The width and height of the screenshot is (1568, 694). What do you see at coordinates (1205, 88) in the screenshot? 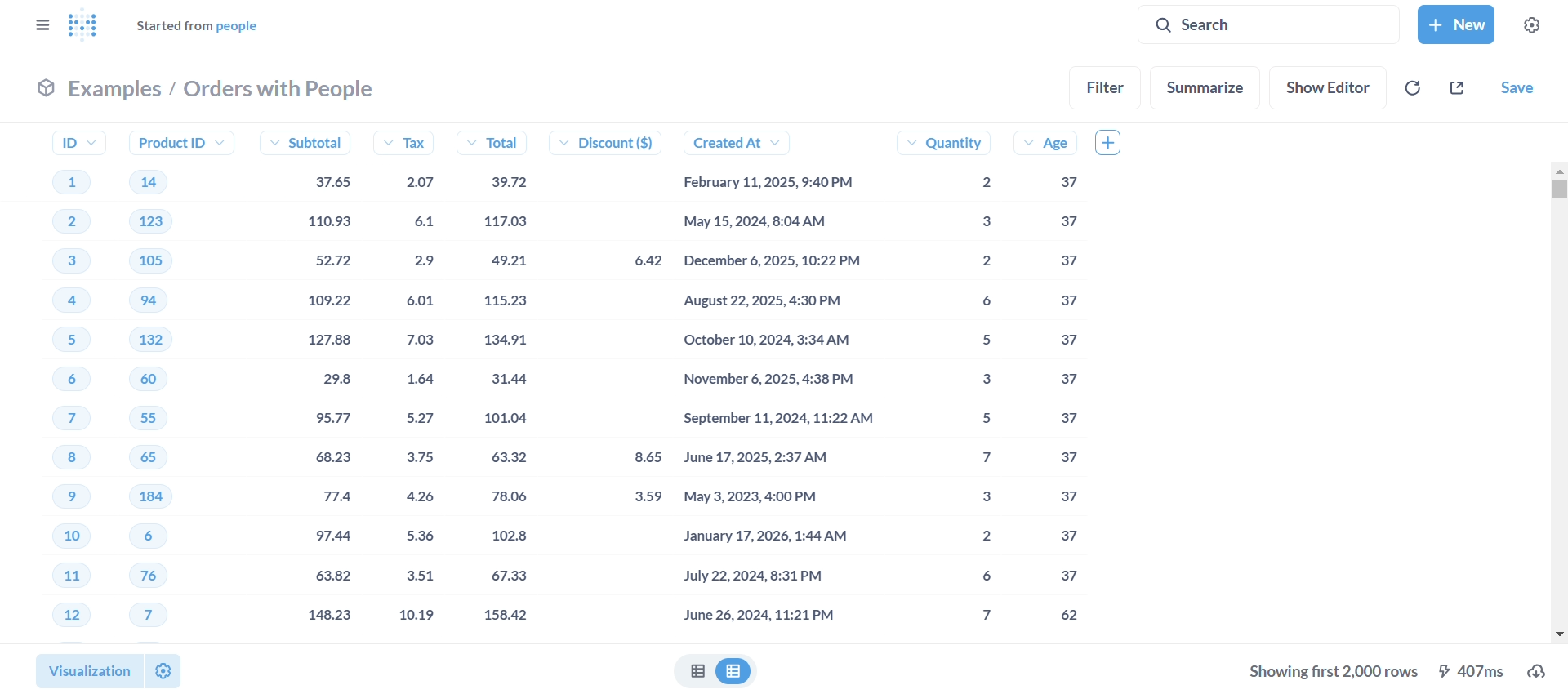
I see `summarize` at bounding box center [1205, 88].